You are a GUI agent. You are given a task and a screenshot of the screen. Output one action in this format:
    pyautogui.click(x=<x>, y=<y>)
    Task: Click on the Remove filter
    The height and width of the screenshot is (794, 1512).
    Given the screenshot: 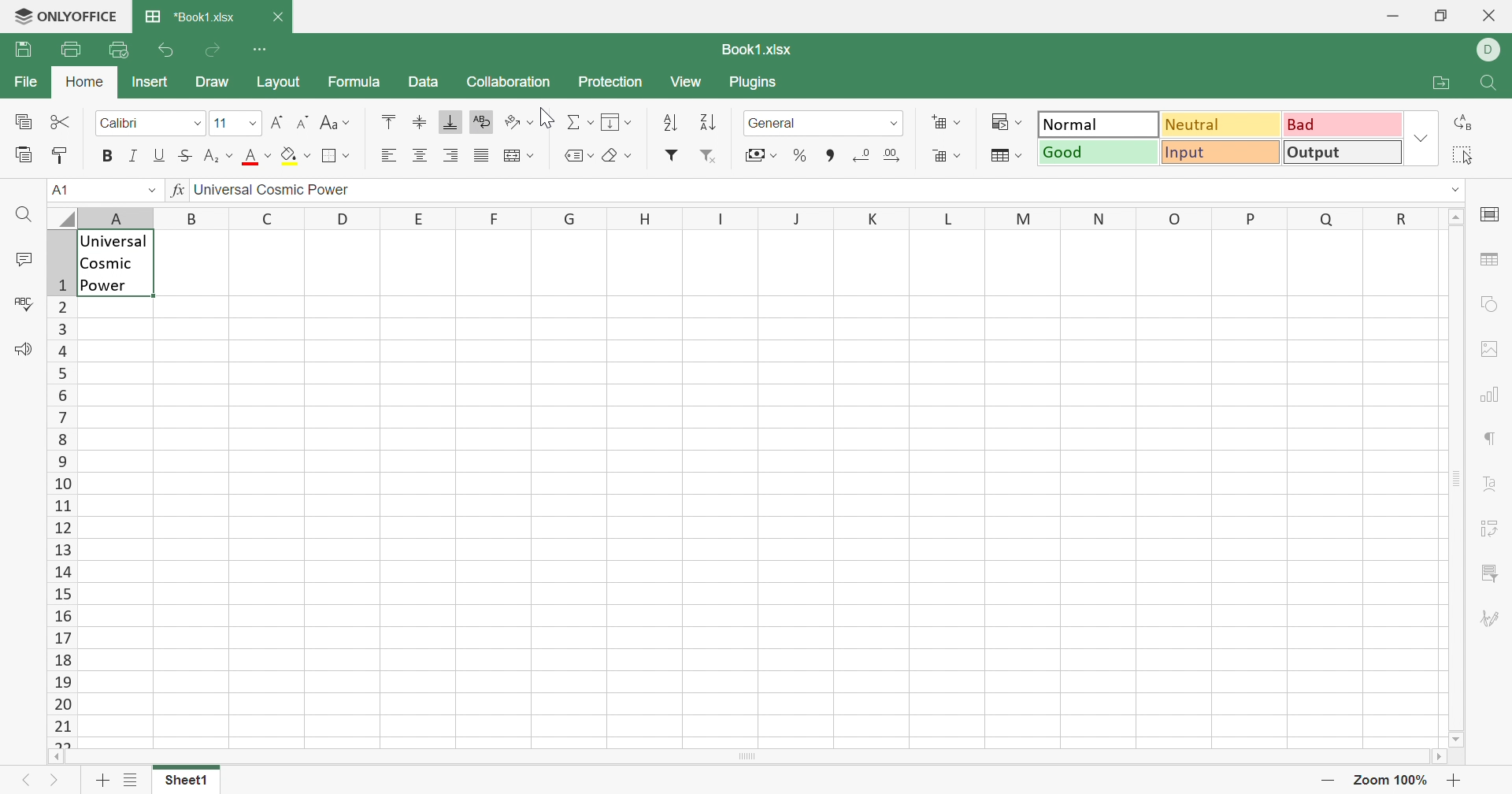 What is the action you would take?
    pyautogui.click(x=710, y=157)
    